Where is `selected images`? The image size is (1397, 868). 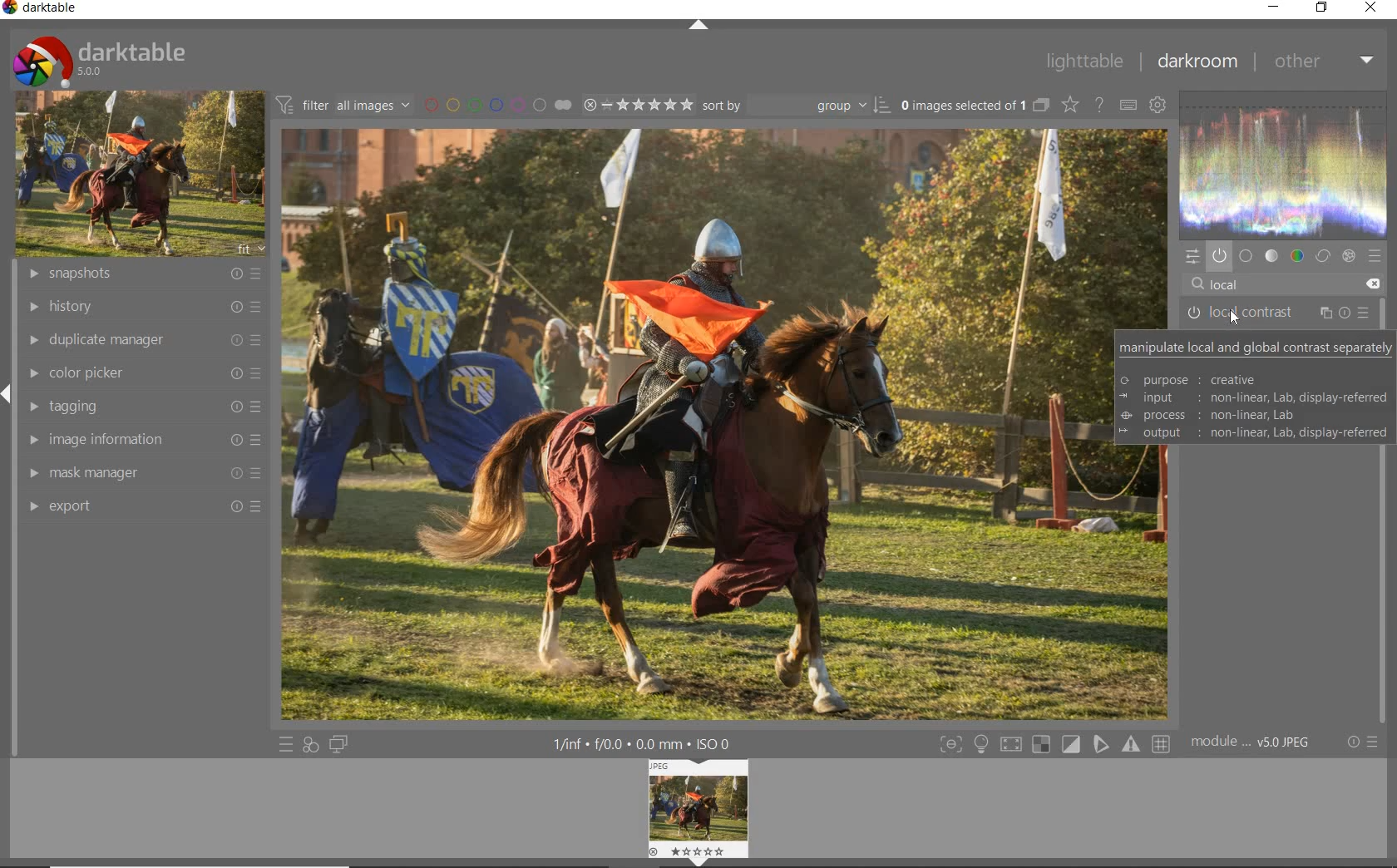 selected images is located at coordinates (973, 104).